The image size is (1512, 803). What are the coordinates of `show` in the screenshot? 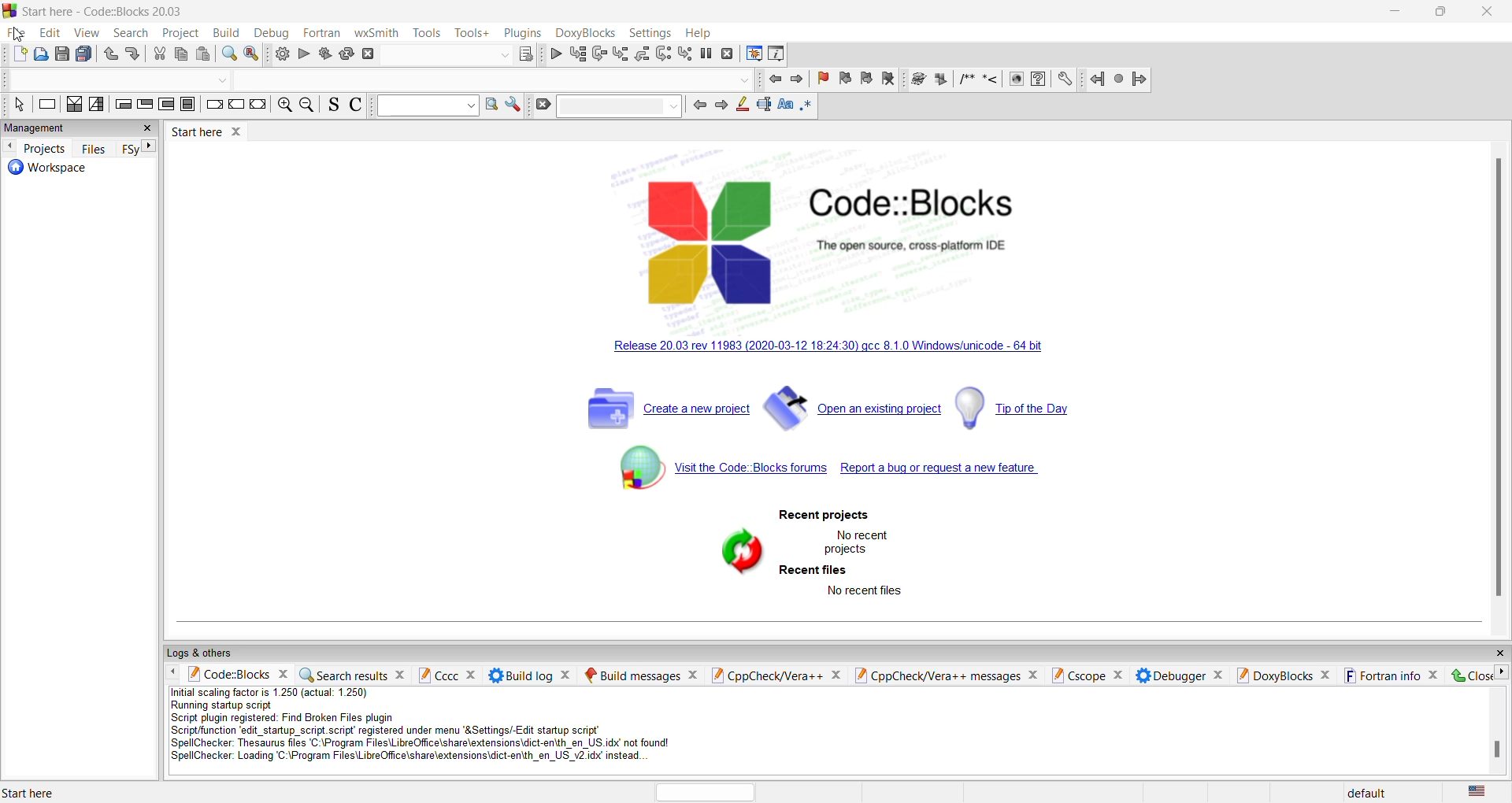 It's located at (1017, 80).